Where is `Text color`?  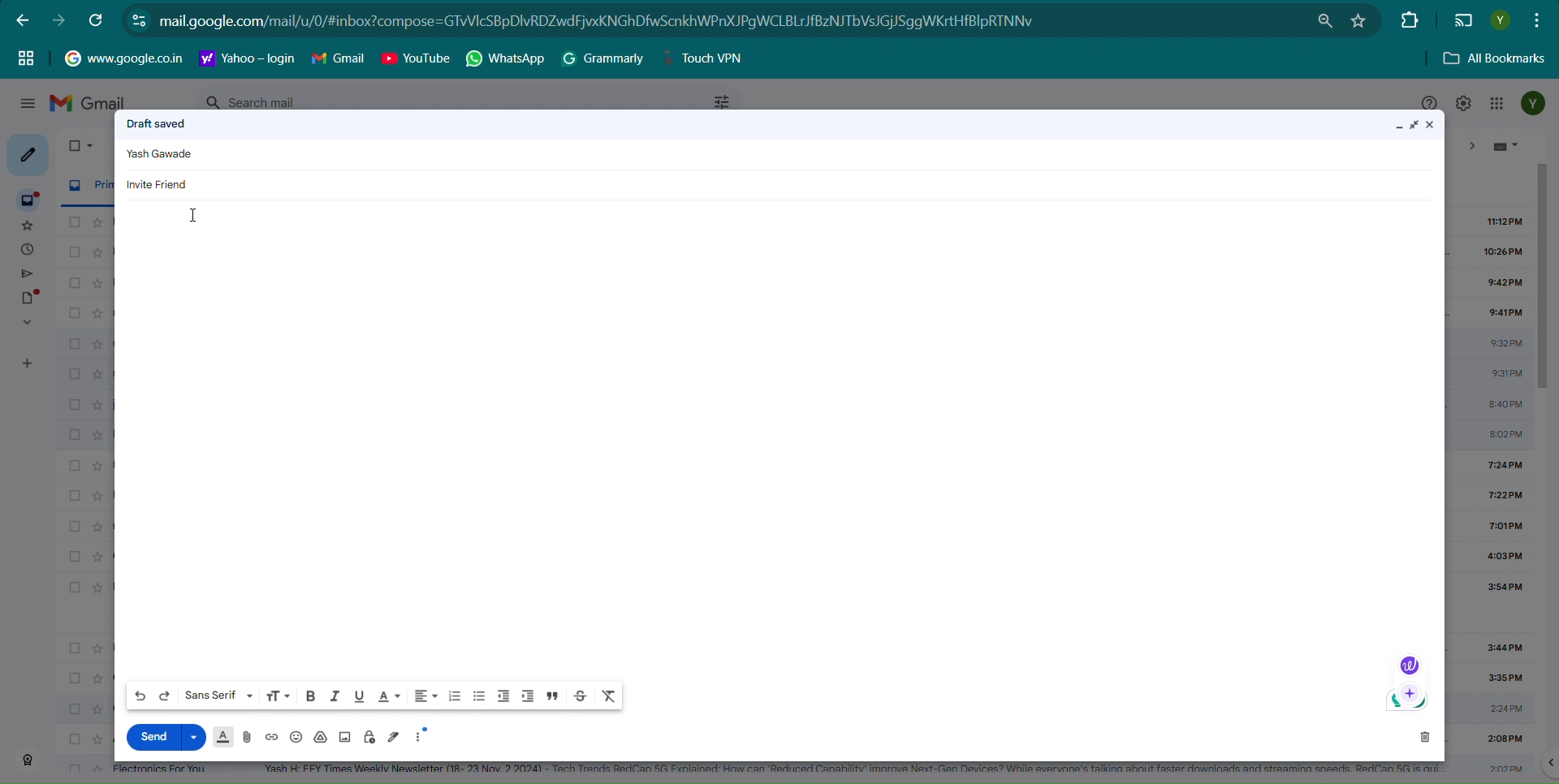 Text color is located at coordinates (388, 696).